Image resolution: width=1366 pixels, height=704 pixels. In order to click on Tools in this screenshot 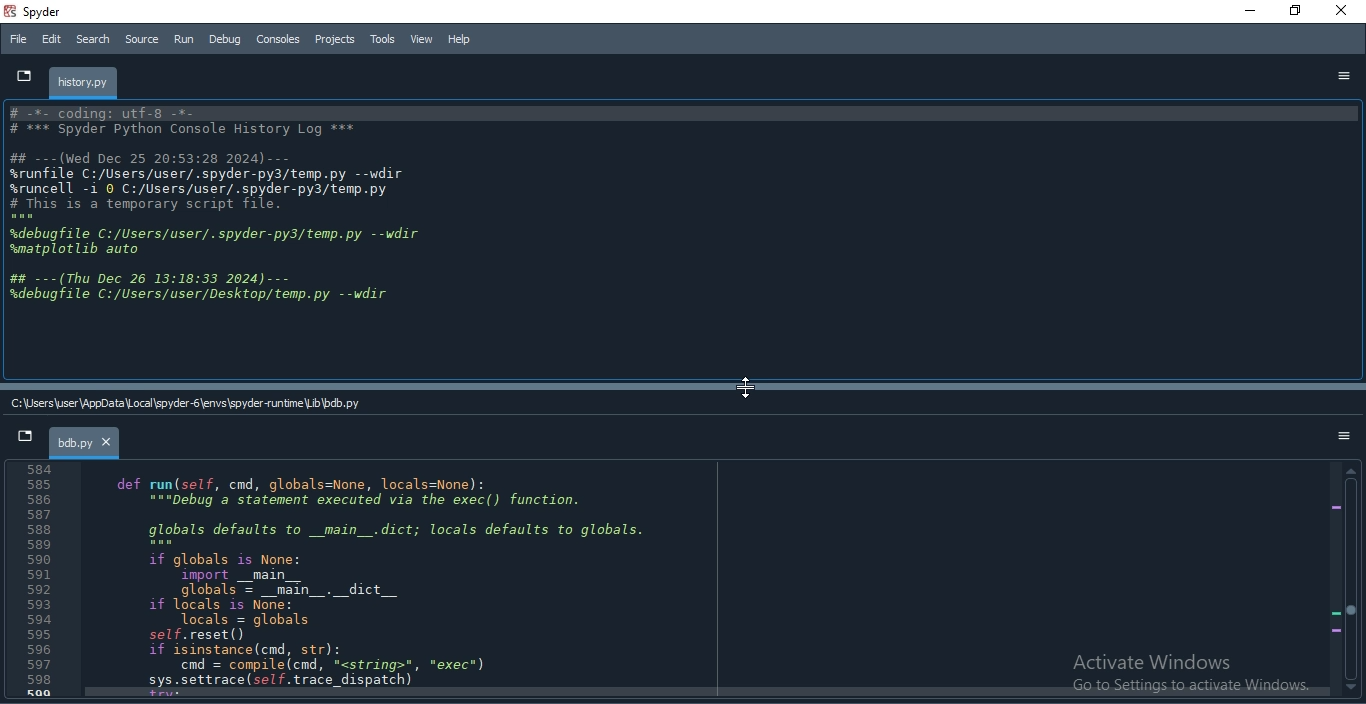, I will do `click(383, 38)`.